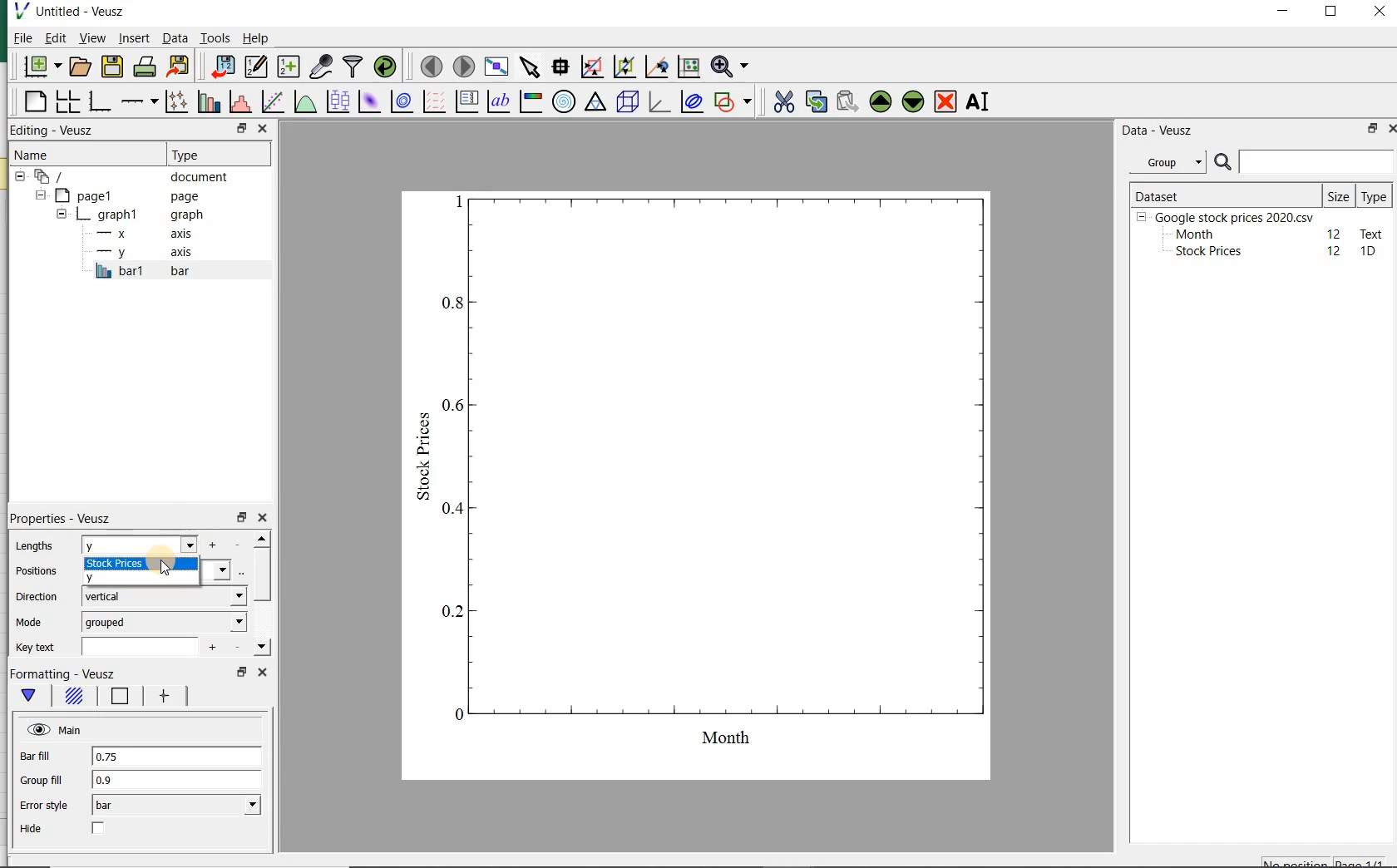  Describe the element at coordinates (353, 66) in the screenshot. I see `filter data` at that location.